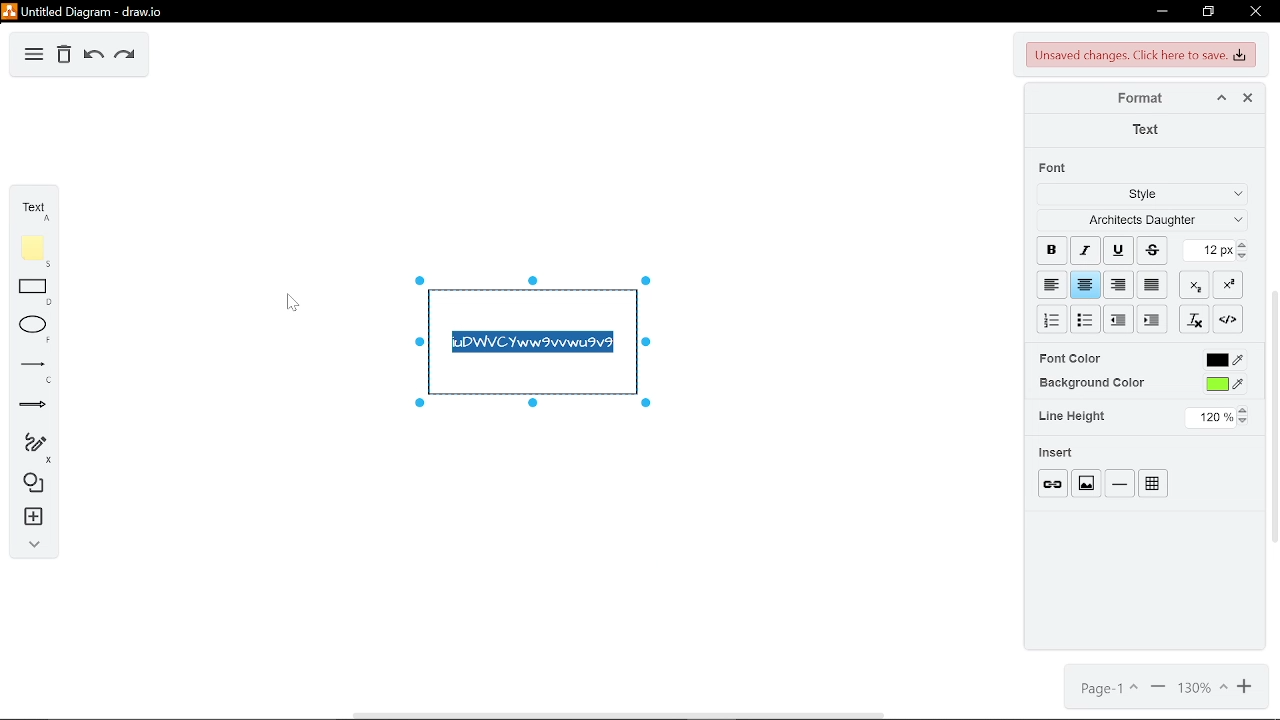  I want to click on format, so click(1133, 98).